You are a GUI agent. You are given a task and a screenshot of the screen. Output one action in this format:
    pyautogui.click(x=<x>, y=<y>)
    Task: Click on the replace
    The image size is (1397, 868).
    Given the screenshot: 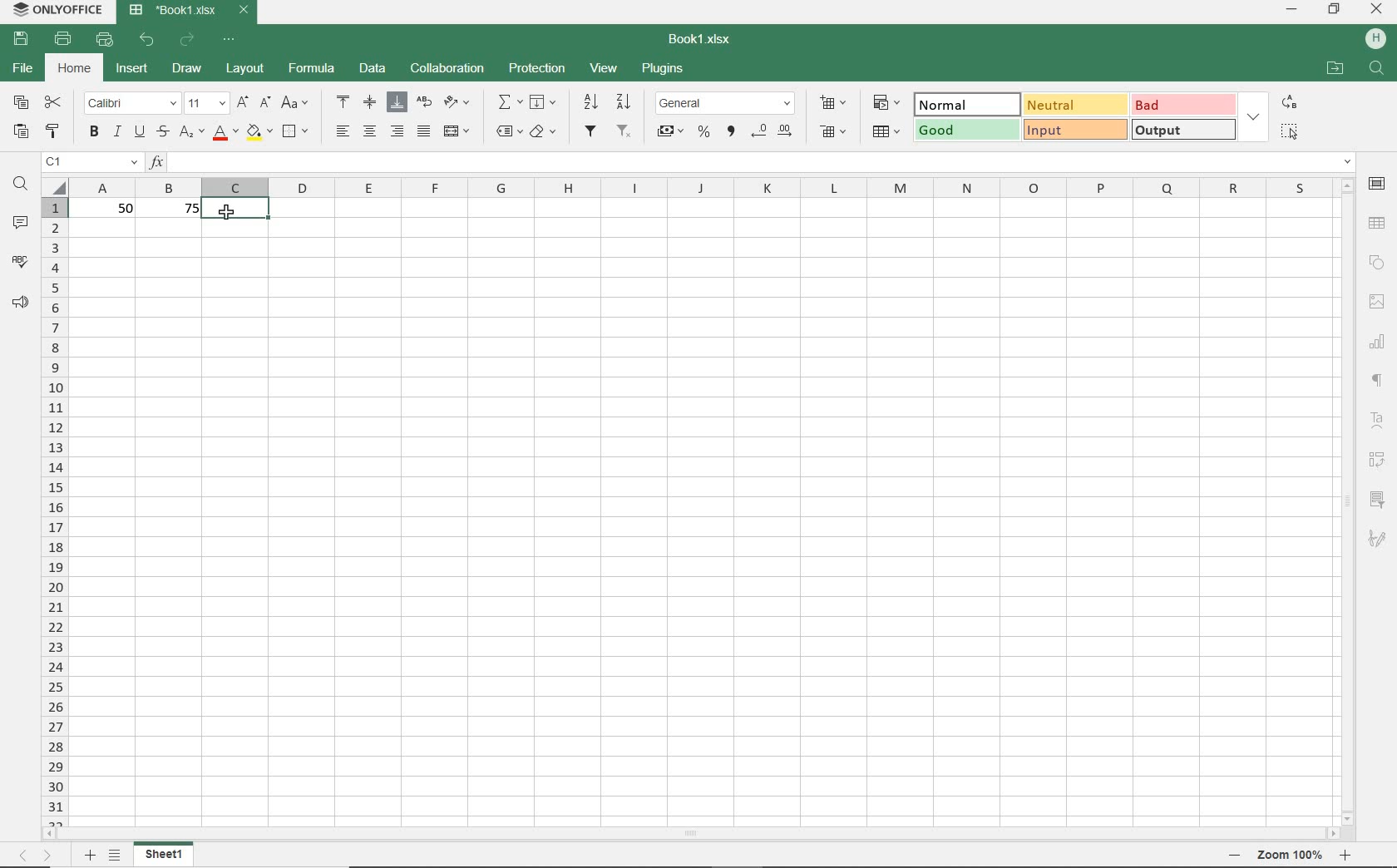 What is the action you would take?
    pyautogui.click(x=1290, y=104)
    